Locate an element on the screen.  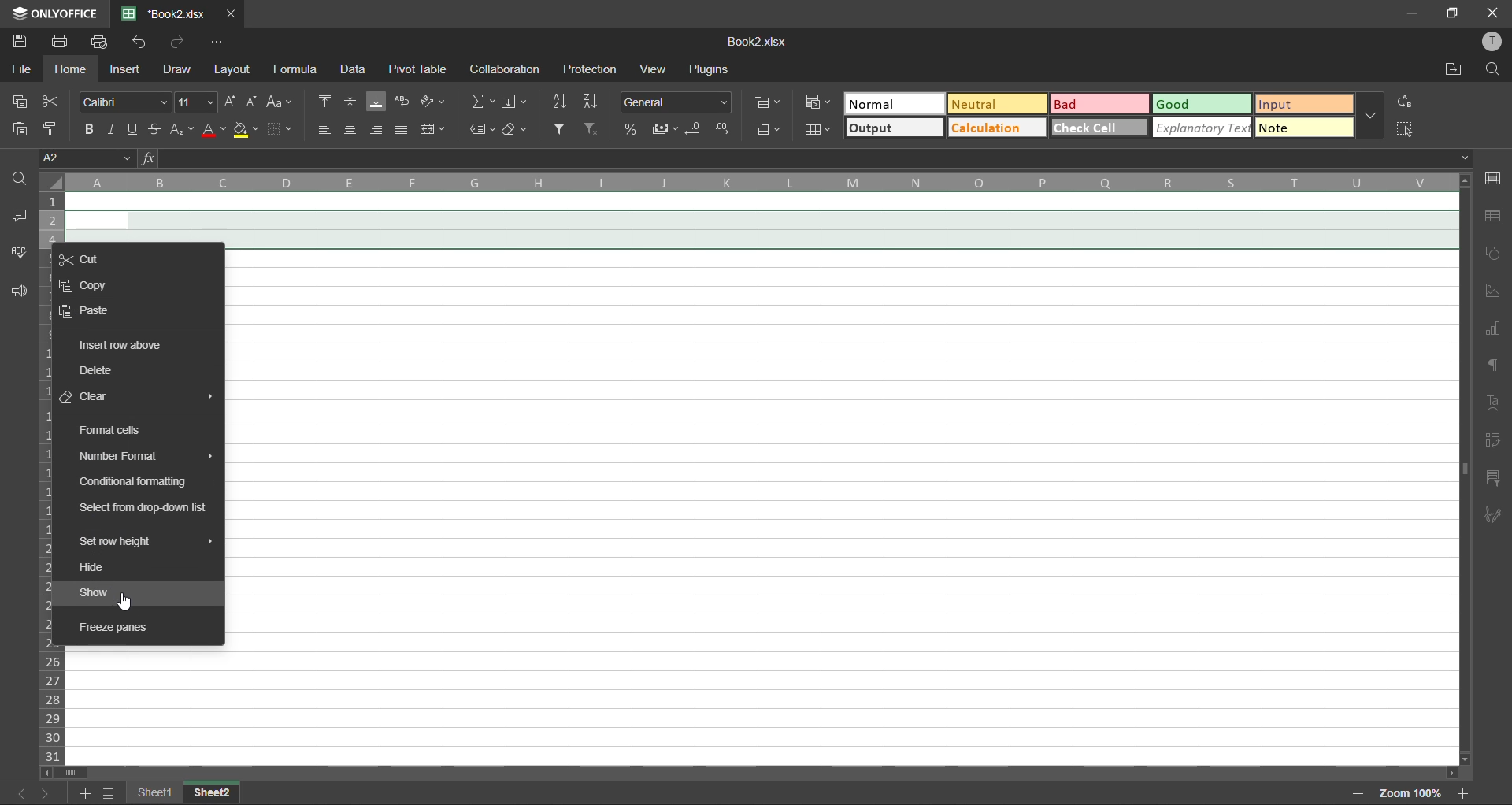
home is located at coordinates (72, 69).